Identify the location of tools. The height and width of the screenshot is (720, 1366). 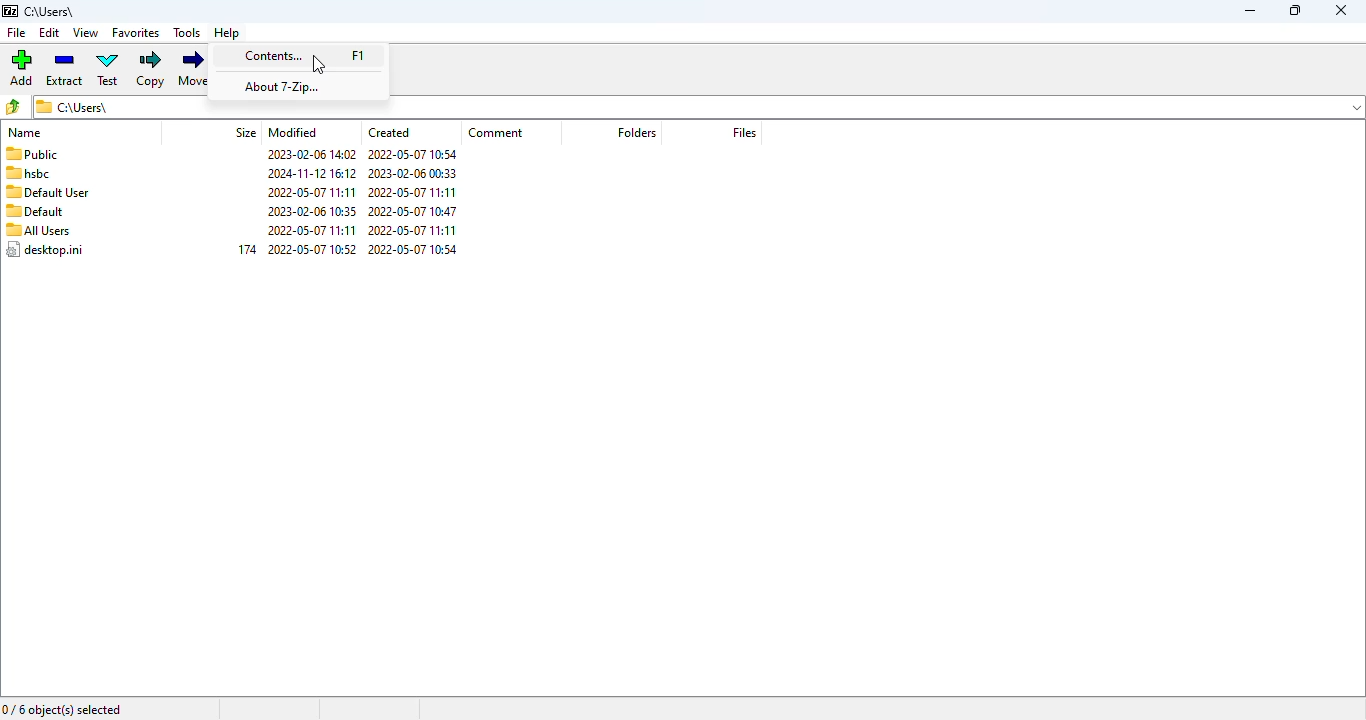
(187, 33).